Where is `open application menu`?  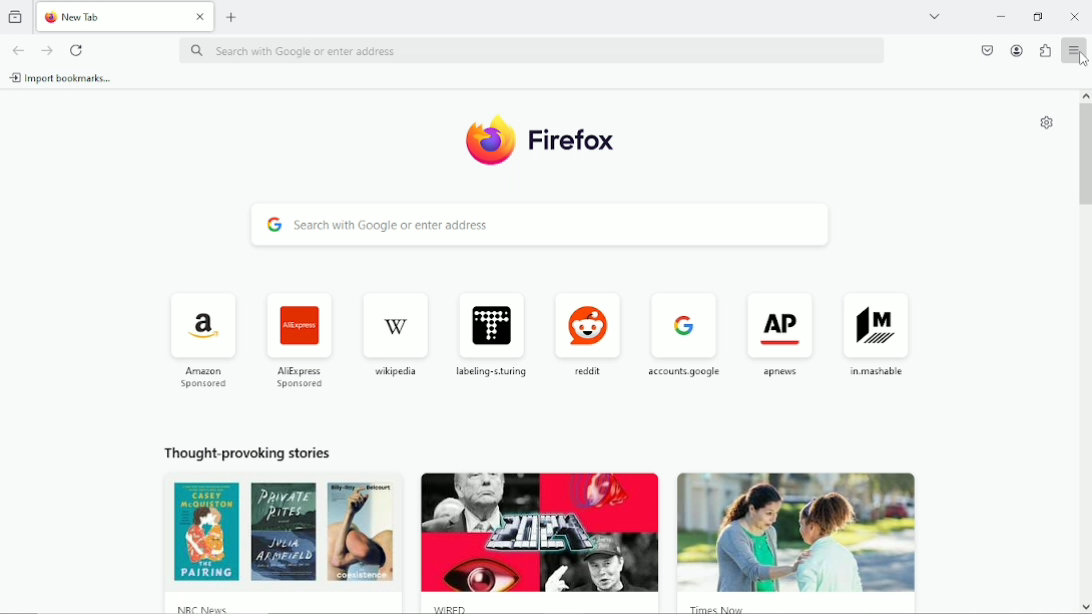 open application menu is located at coordinates (1076, 53).